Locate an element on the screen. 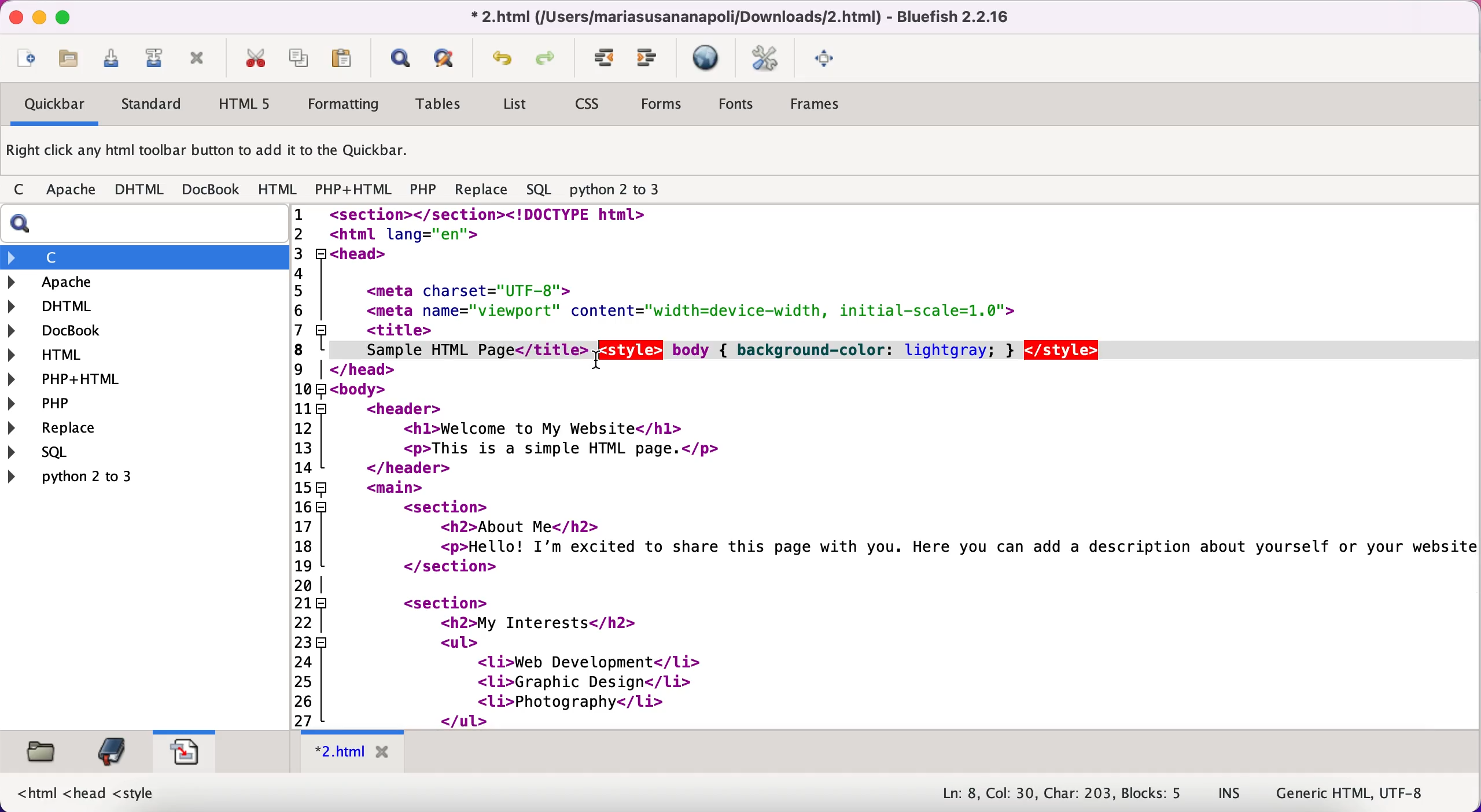 Image resolution: width=1481 pixels, height=812 pixels. line numbers is located at coordinates (309, 466).